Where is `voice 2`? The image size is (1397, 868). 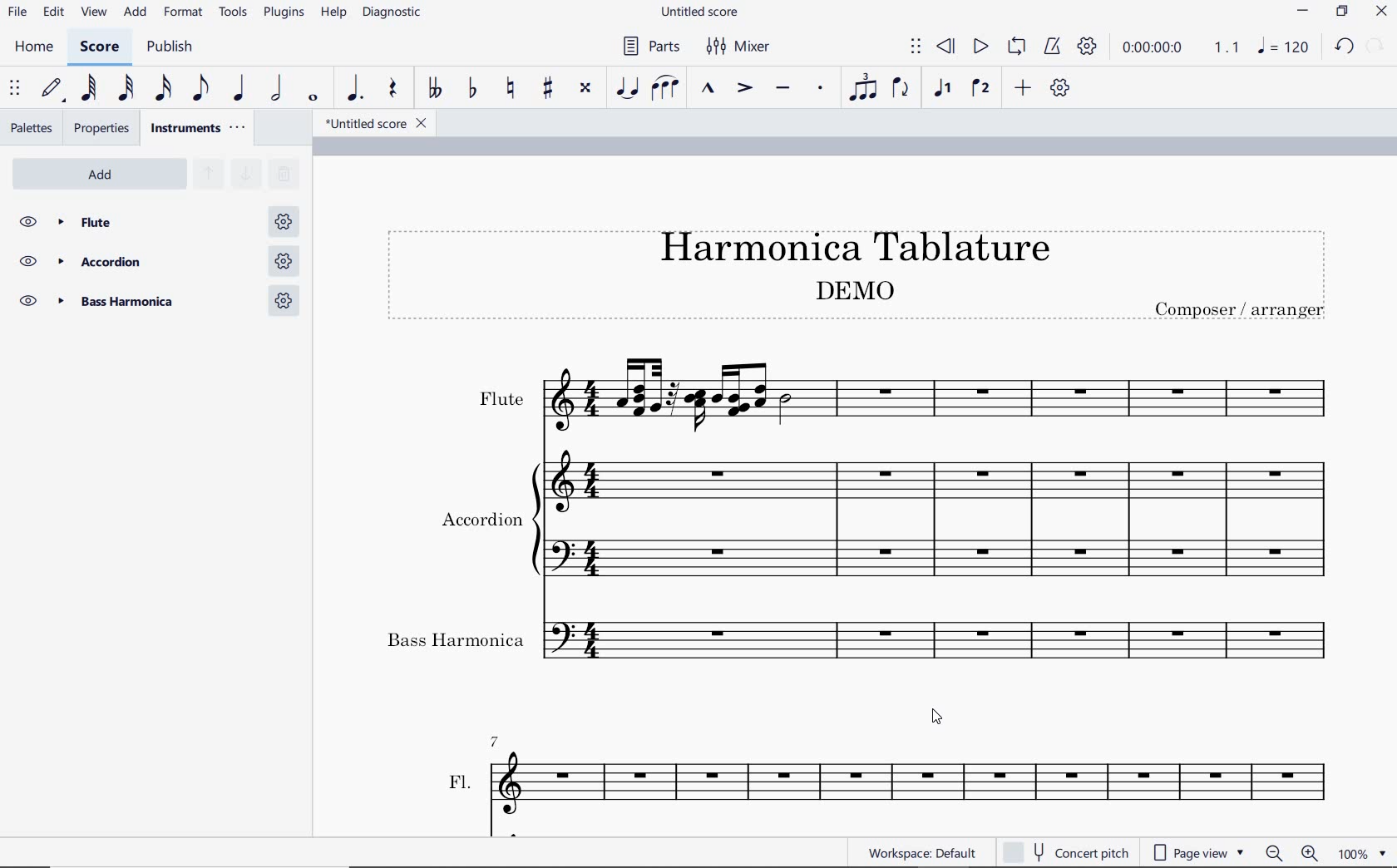 voice 2 is located at coordinates (980, 89).